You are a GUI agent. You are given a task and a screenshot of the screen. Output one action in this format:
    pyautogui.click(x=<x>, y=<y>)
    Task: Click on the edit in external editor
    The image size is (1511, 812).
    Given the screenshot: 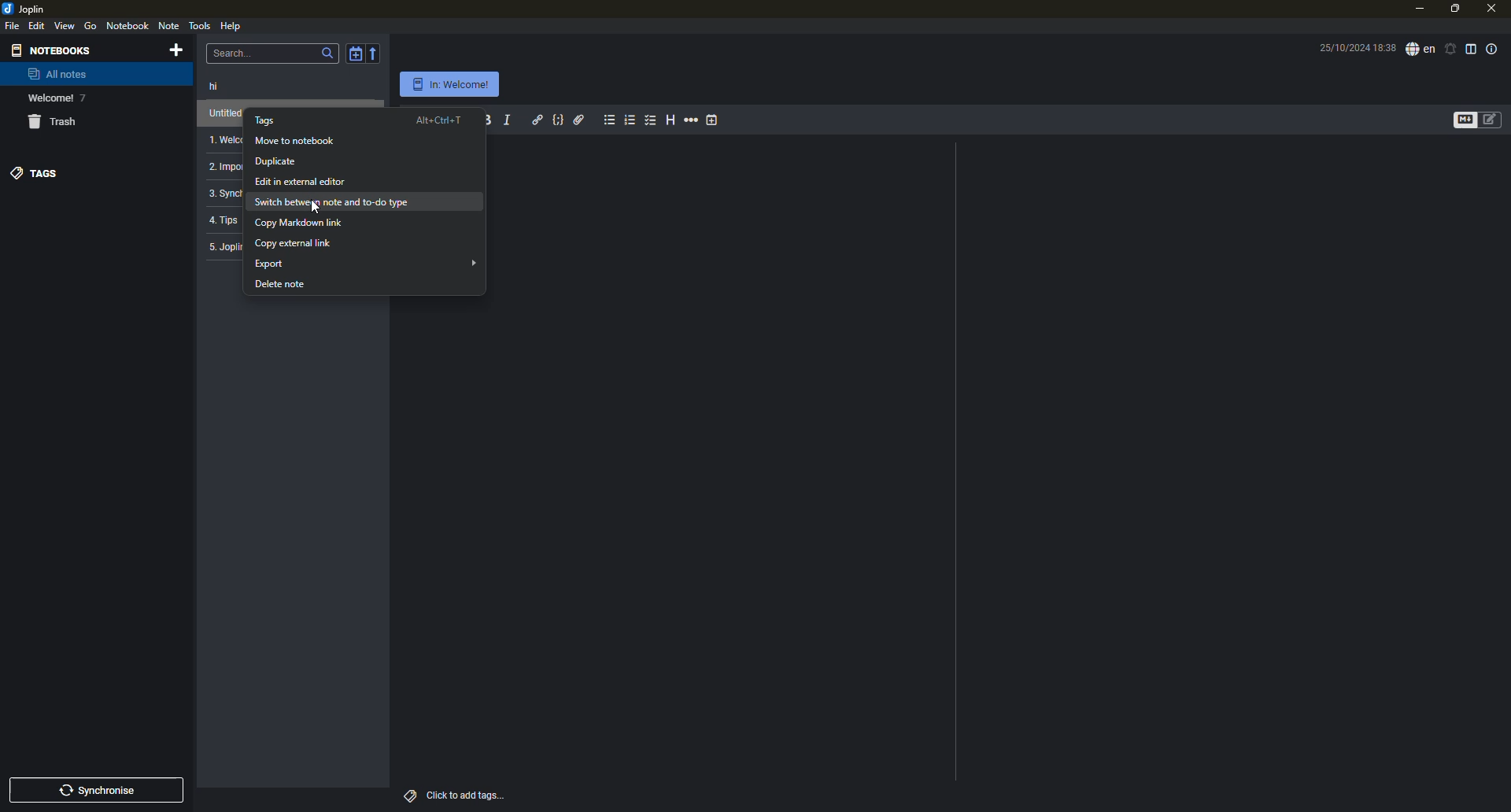 What is the action you would take?
    pyautogui.click(x=305, y=181)
    